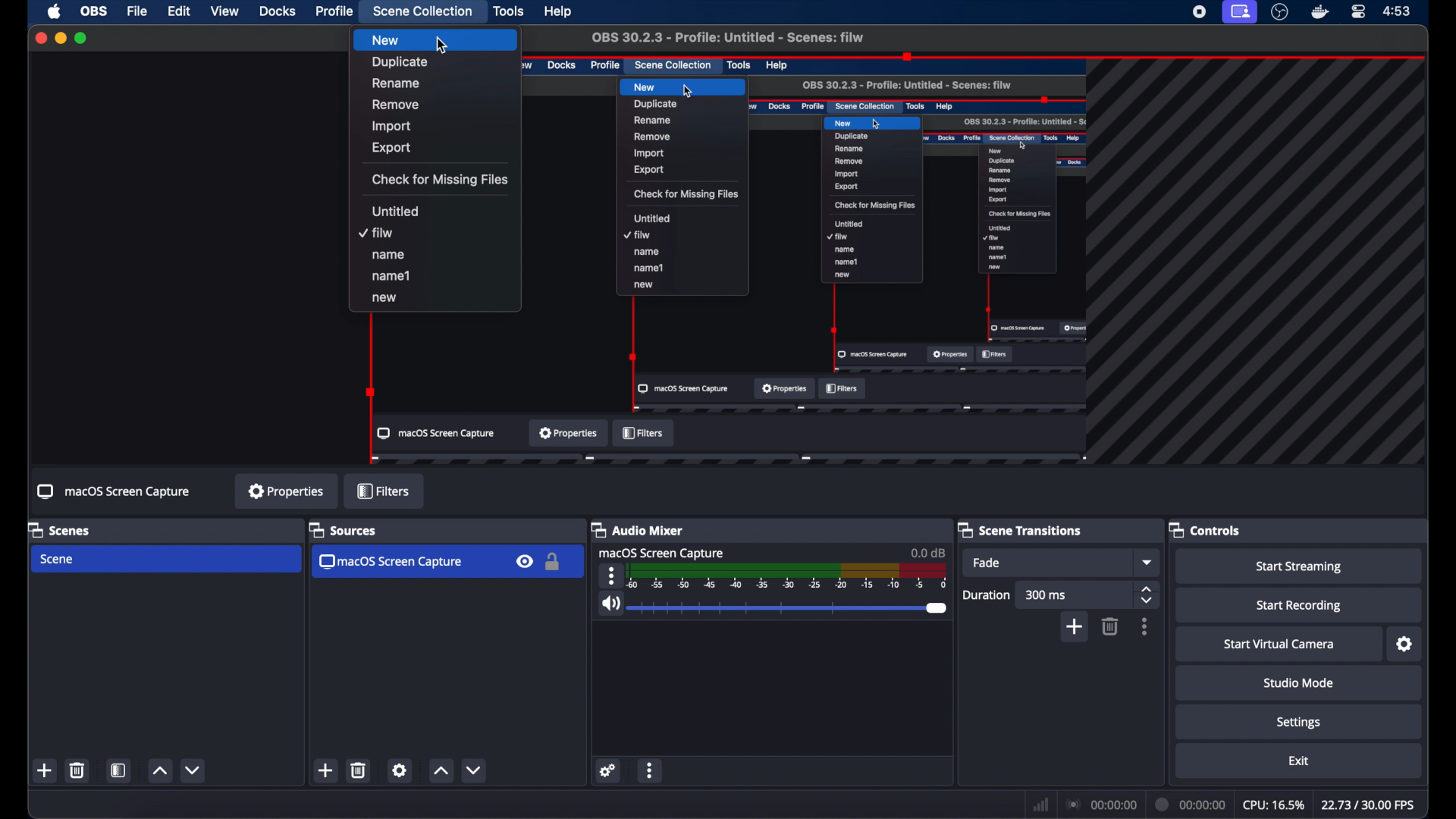 The width and height of the screenshot is (1456, 819). What do you see at coordinates (61, 529) in the screenshot?
I see `scenes` at bounding box center [61, 529].